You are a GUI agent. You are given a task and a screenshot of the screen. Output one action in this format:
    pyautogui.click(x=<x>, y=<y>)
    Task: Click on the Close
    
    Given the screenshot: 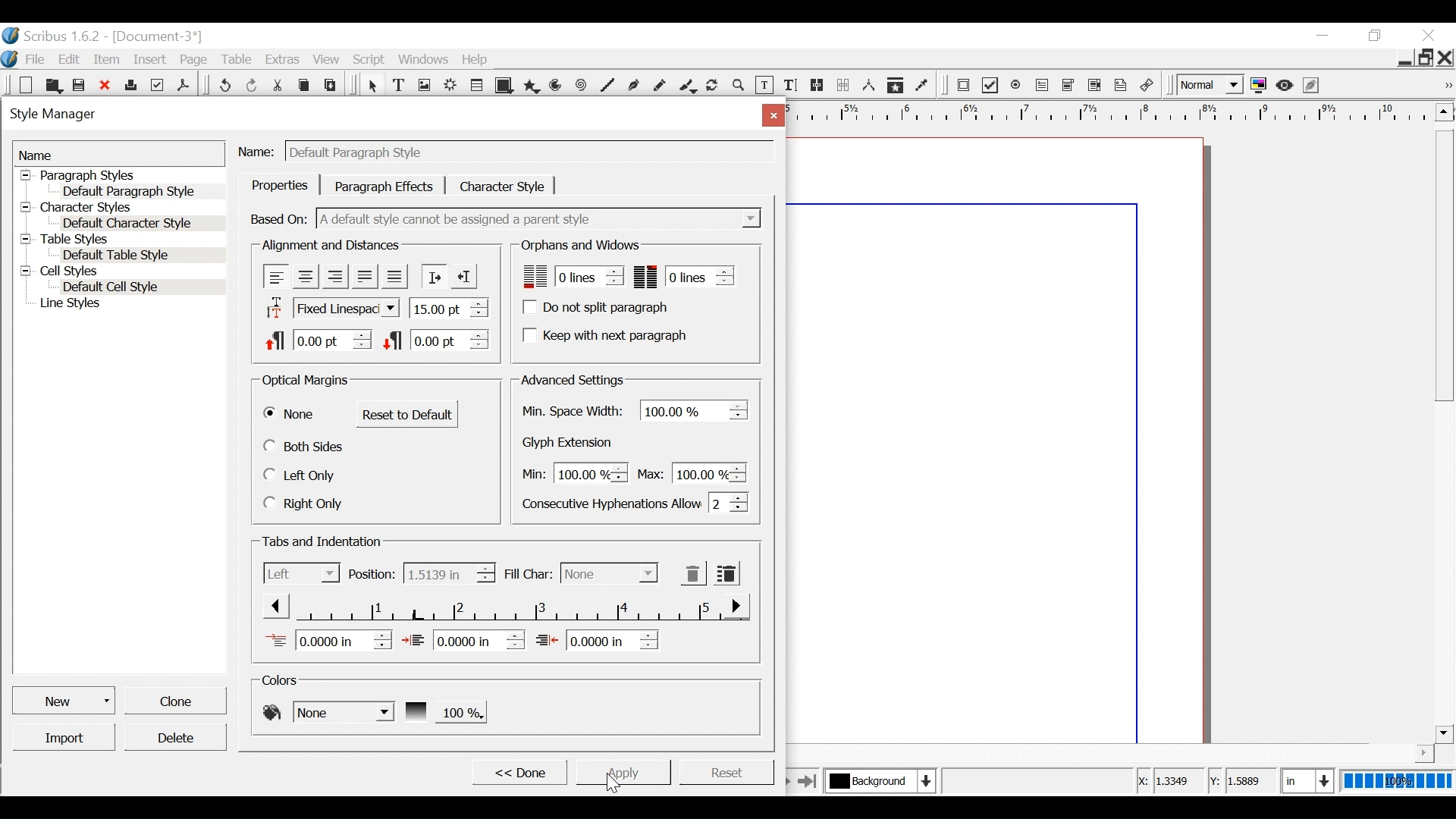 What is the action you would take?
    pyautogui.click(x=106, y=85)
    